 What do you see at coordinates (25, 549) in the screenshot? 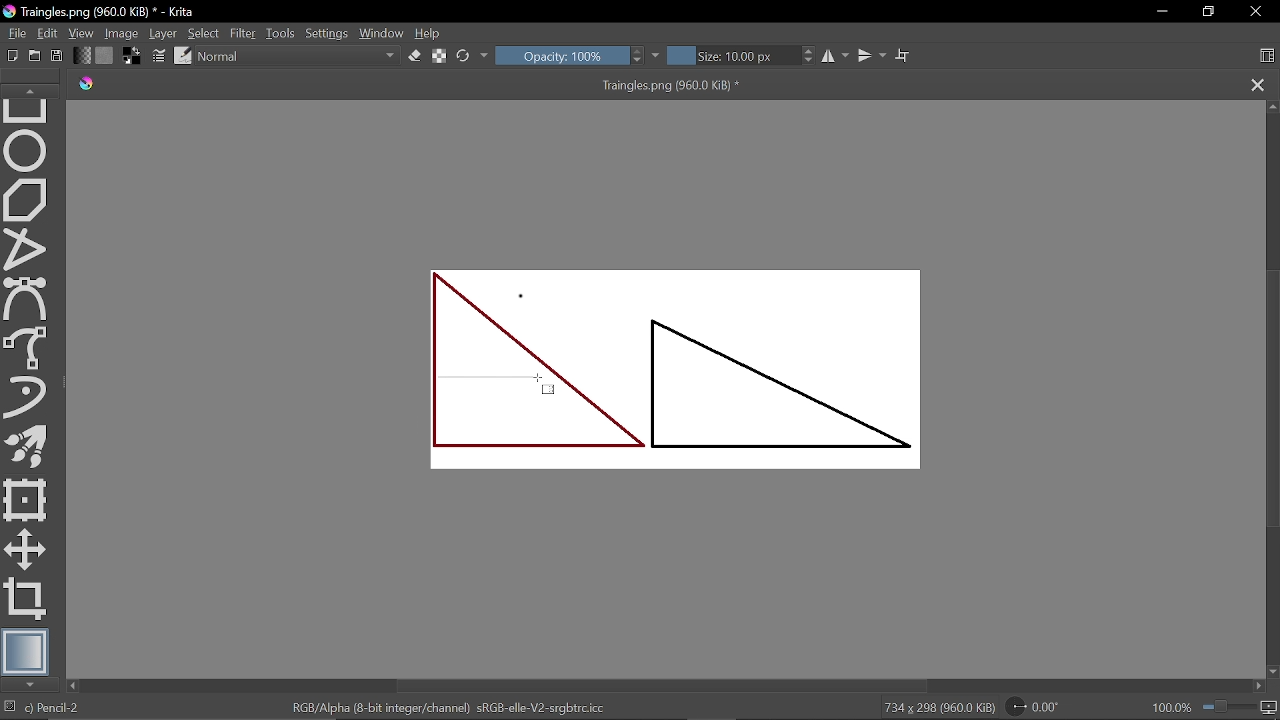
I see `Move tool` at bounding box center [25, 549].